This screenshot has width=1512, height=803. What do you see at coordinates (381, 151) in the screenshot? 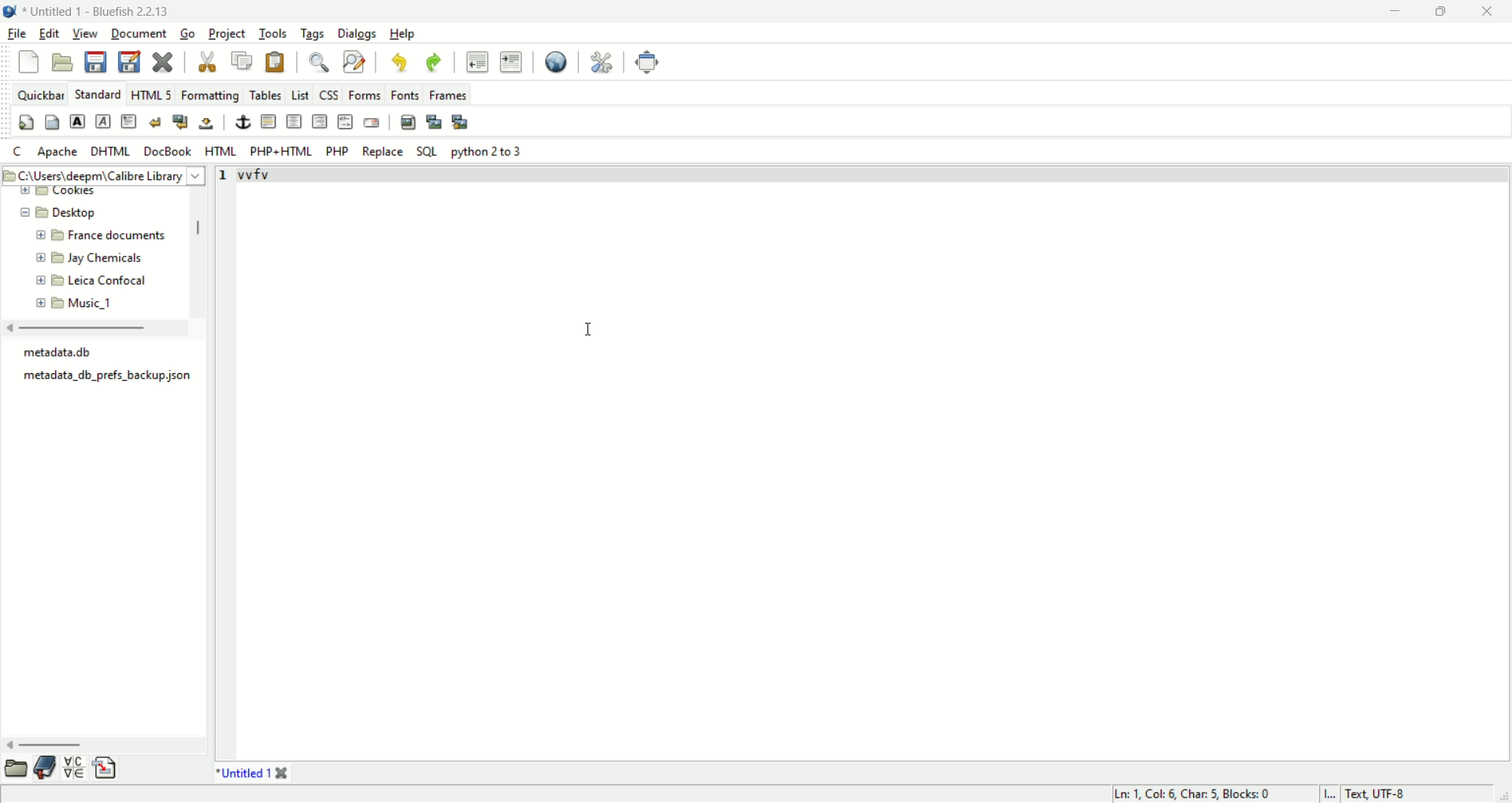
I see `replace` at bounding box center [381, 151].